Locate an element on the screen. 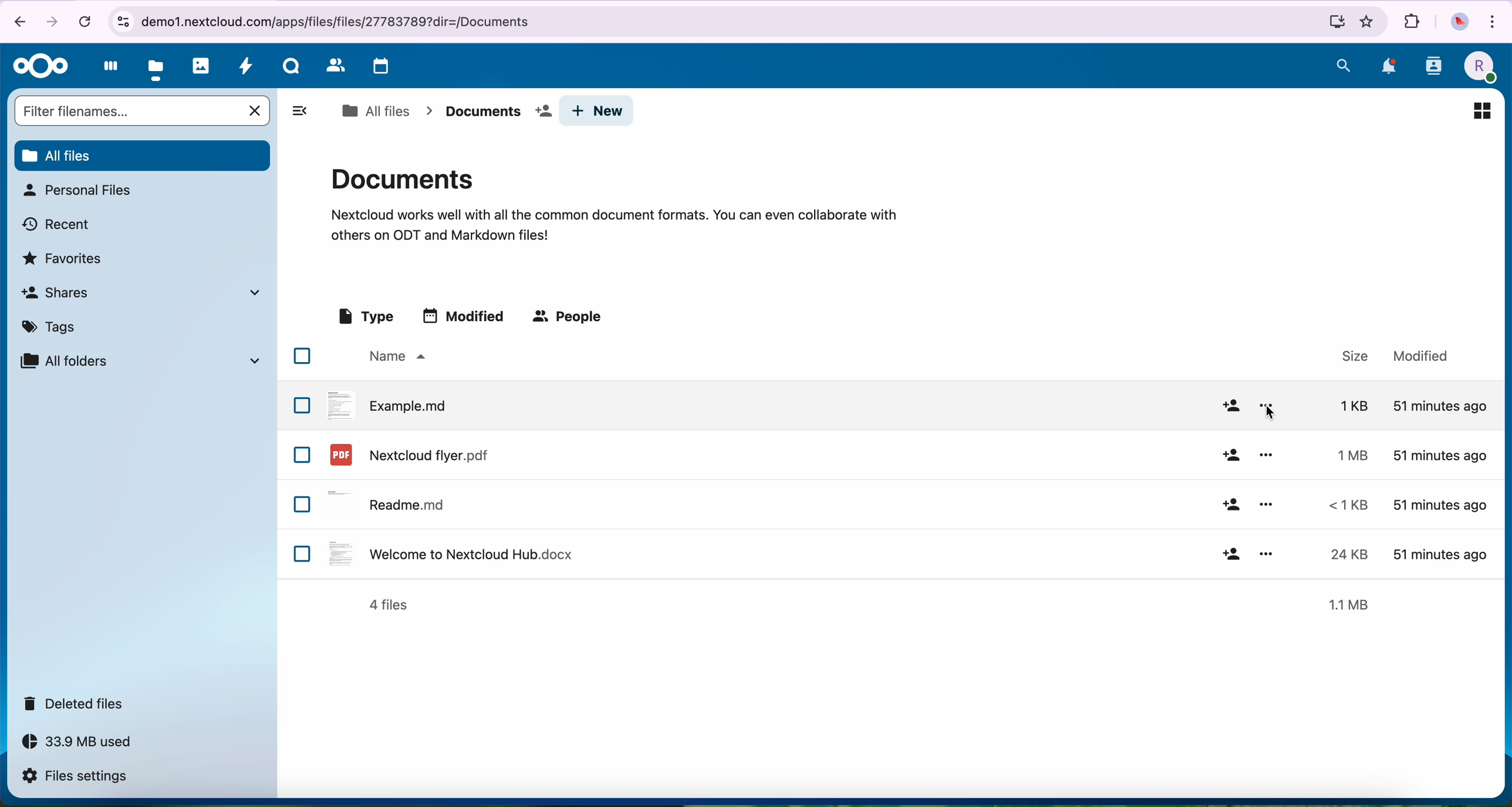 The height and width of the screenshot is (807, 1512). calendar is located at coordinates (378, 67).